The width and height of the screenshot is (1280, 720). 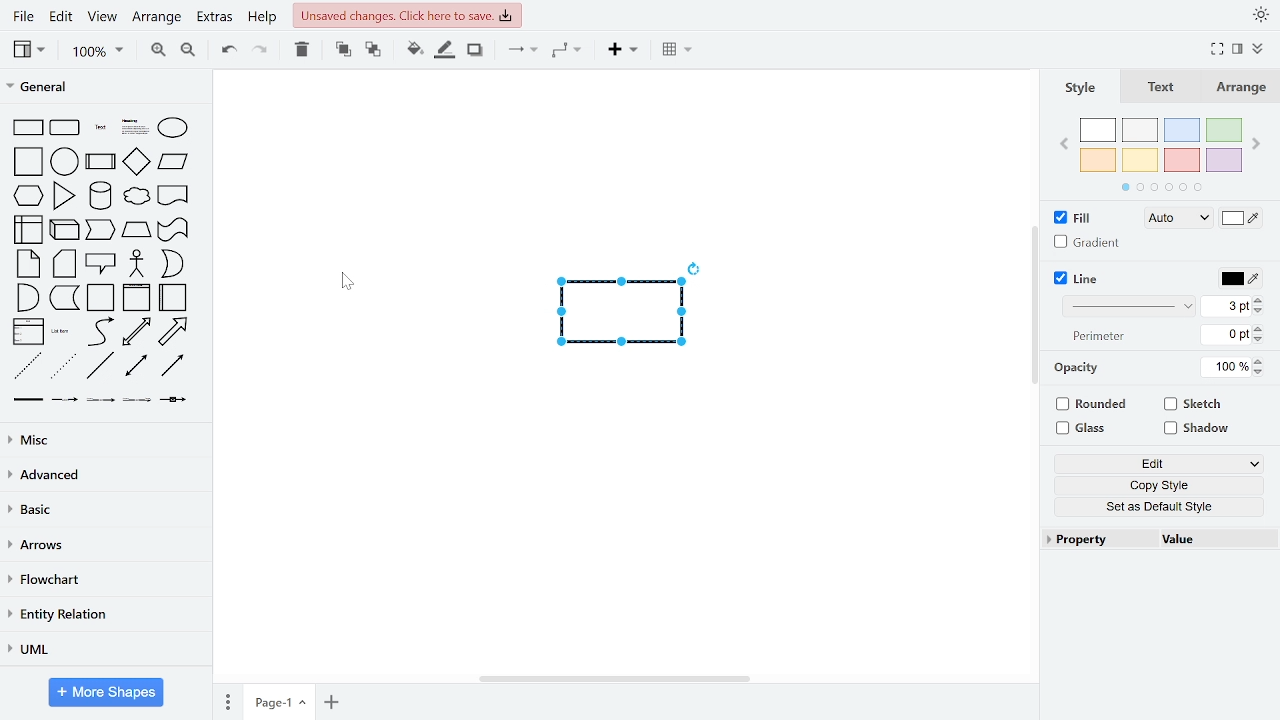 I want to click on connection, so click(x=522, y=52).